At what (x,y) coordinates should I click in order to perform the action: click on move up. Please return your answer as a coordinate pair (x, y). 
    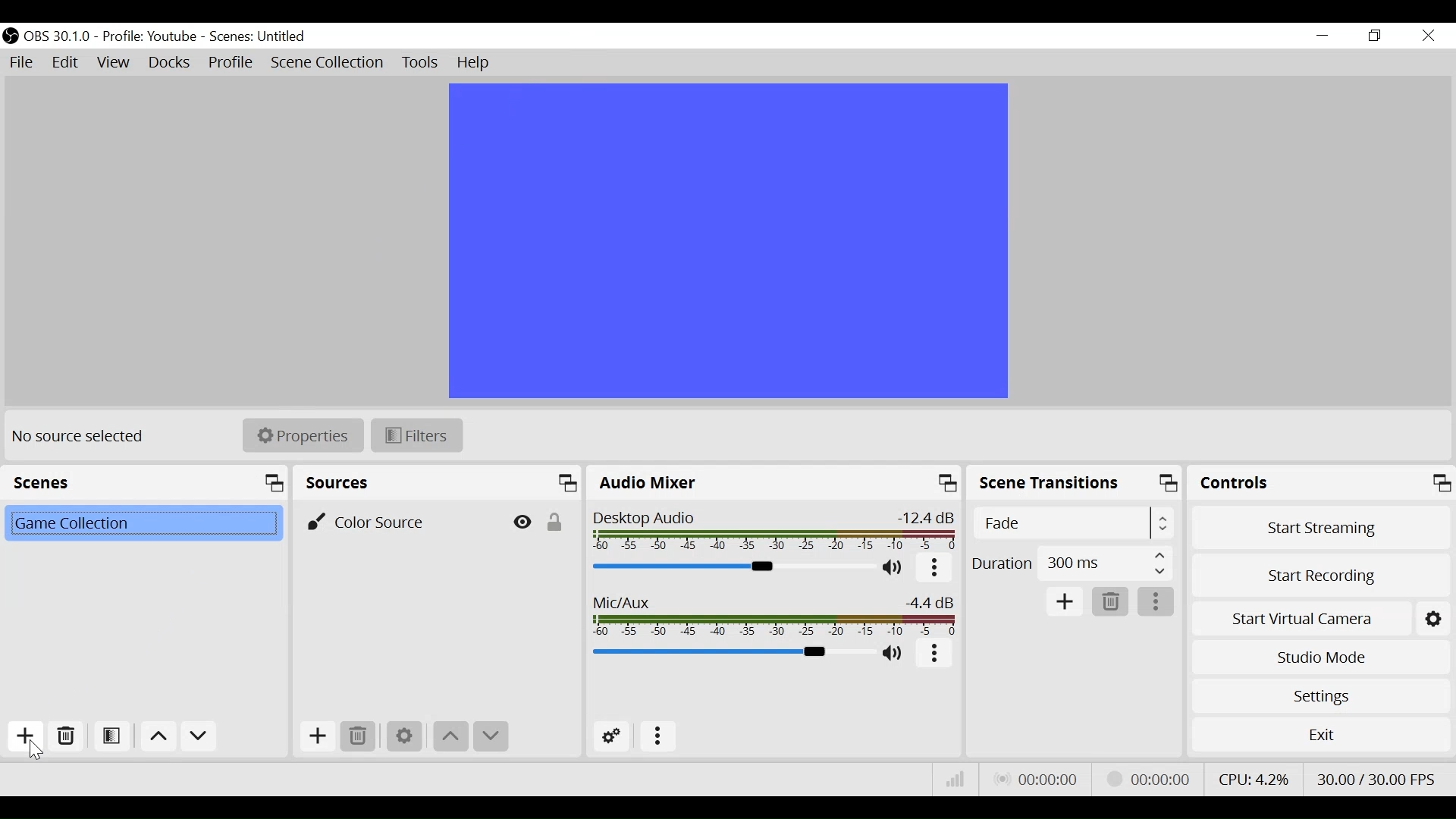
    Looking at the image, I should click on (156, 736).